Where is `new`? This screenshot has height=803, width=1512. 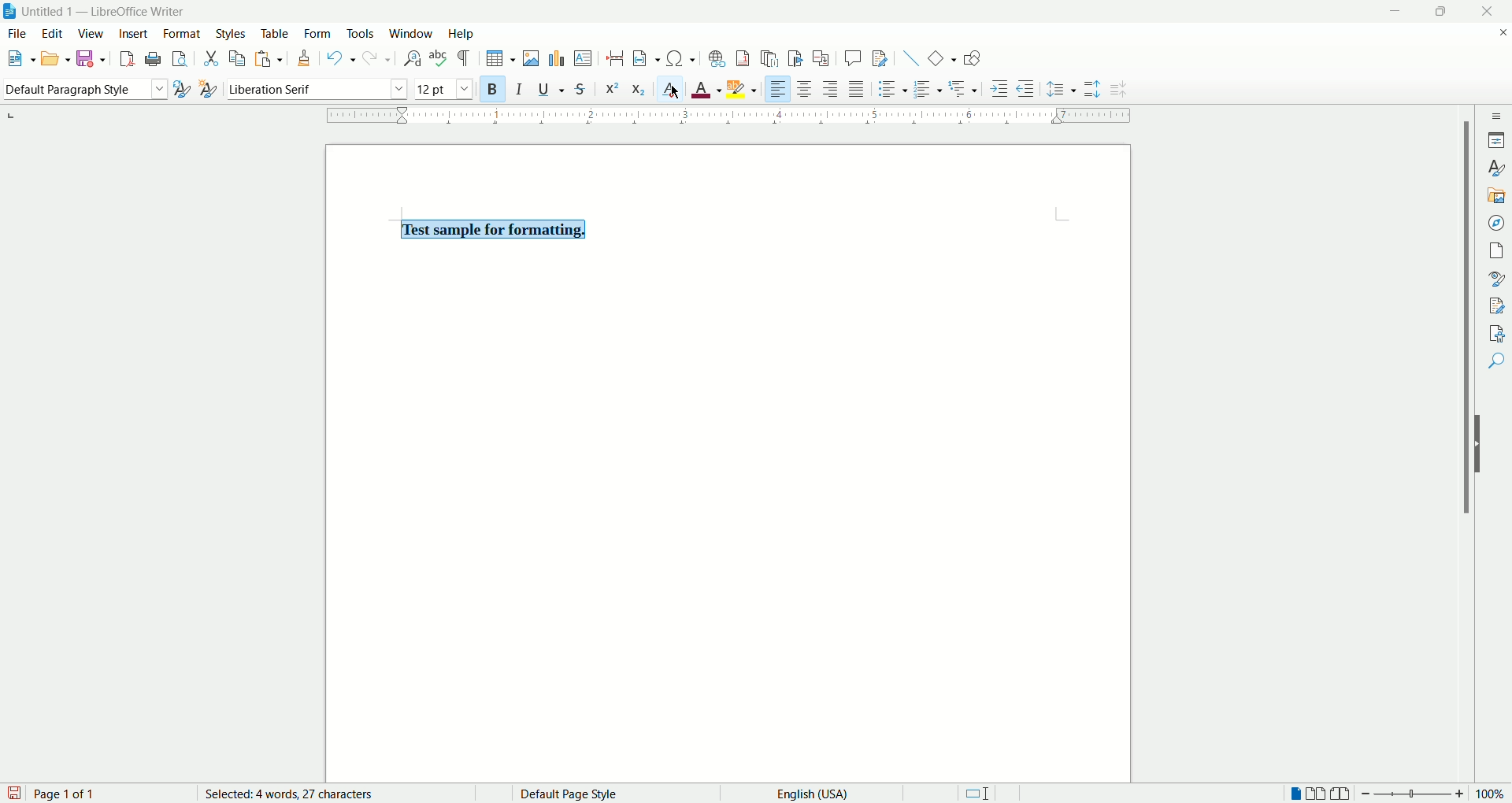 new is located at coordinates (20, 58).